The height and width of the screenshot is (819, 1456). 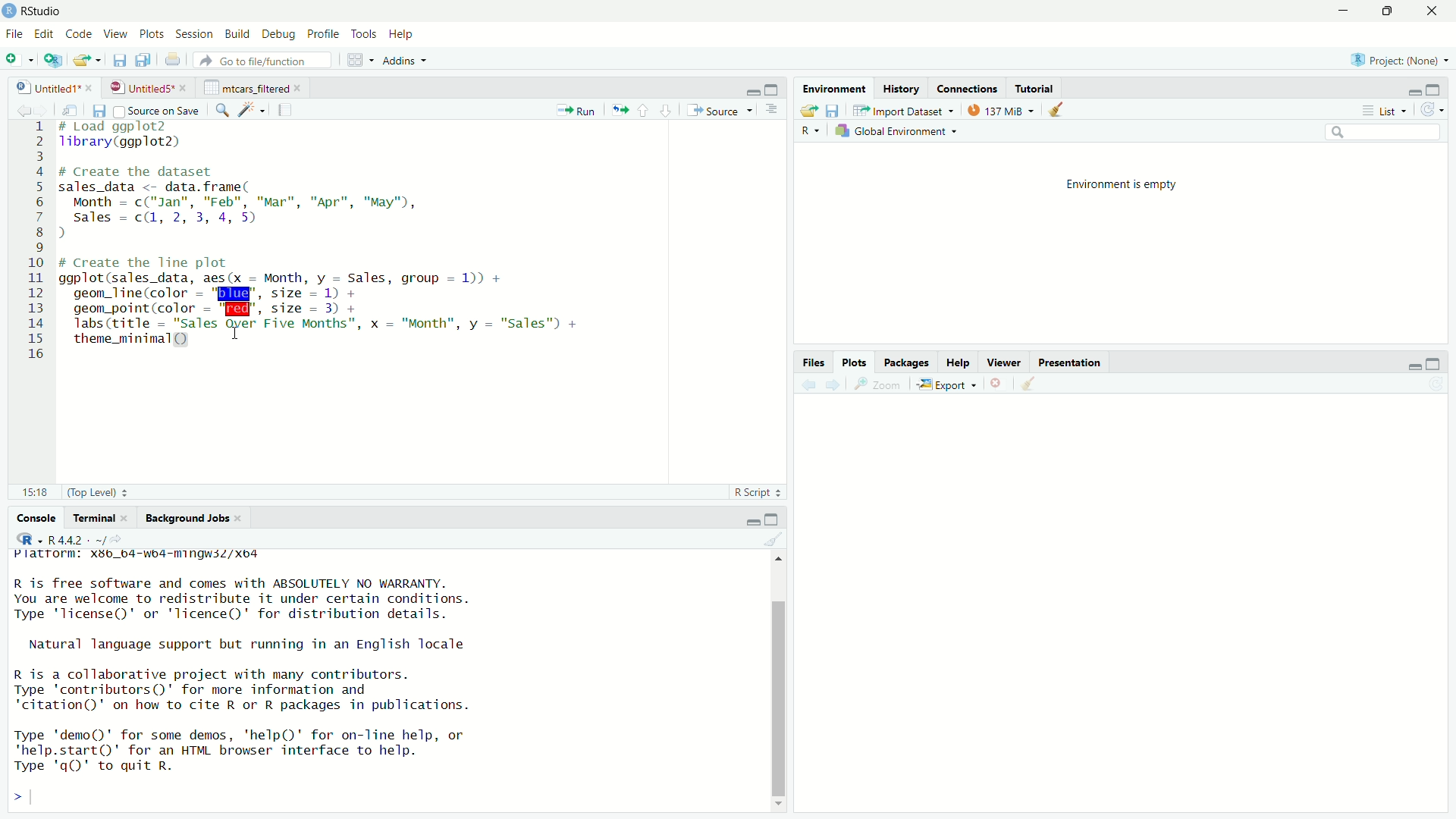 What do you see at coordinates (279, 36) in the screenshot?
I see `debug` at bounding box center [279, 36].